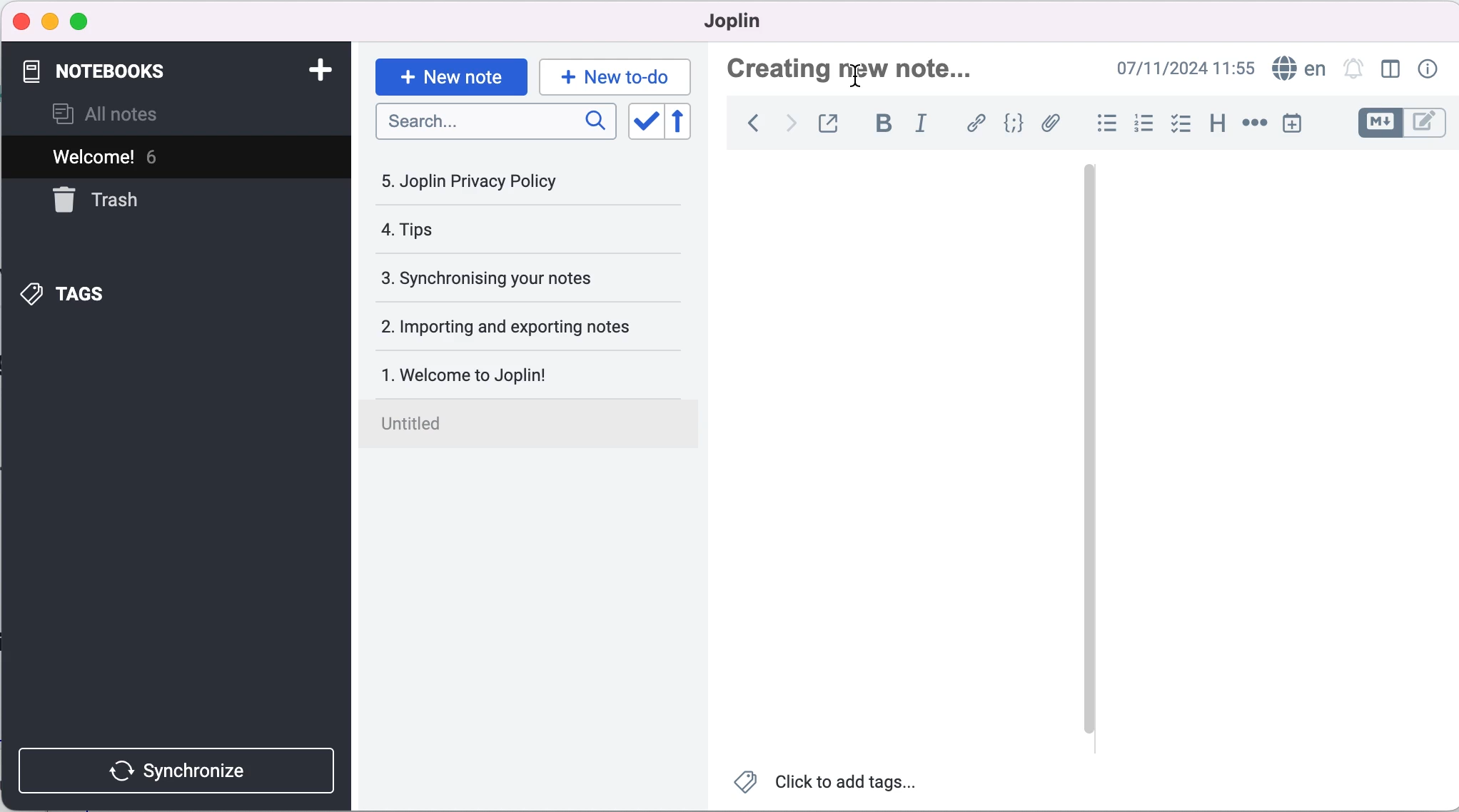 This screenshot has height=812, width=1459. What do you see at coordinates (877, 68) in the screenshot?
I see `creating new note` at bounding box center [877, 68].